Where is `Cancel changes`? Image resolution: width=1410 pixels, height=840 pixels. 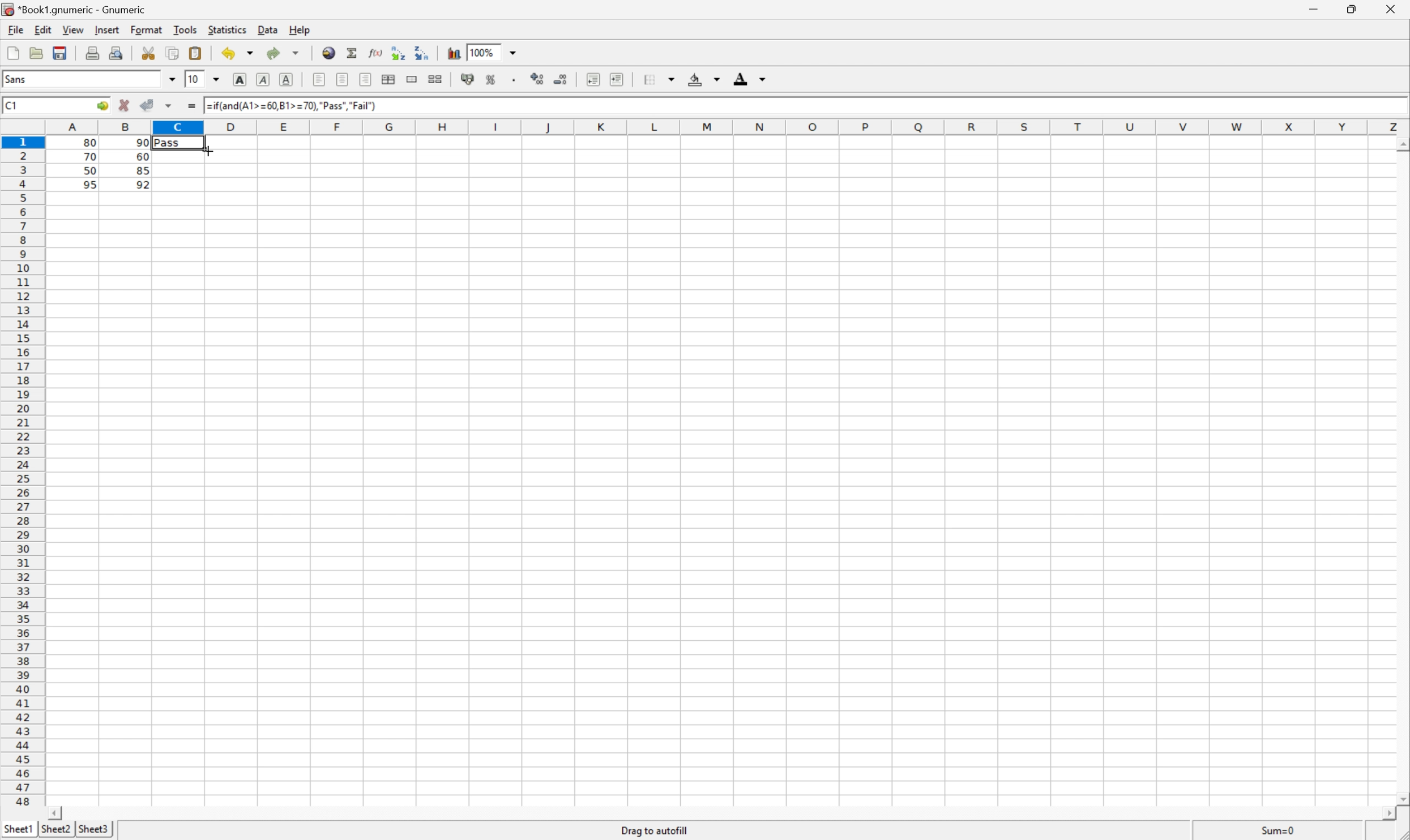 Cancel changes is located at coordinates (125, 106).